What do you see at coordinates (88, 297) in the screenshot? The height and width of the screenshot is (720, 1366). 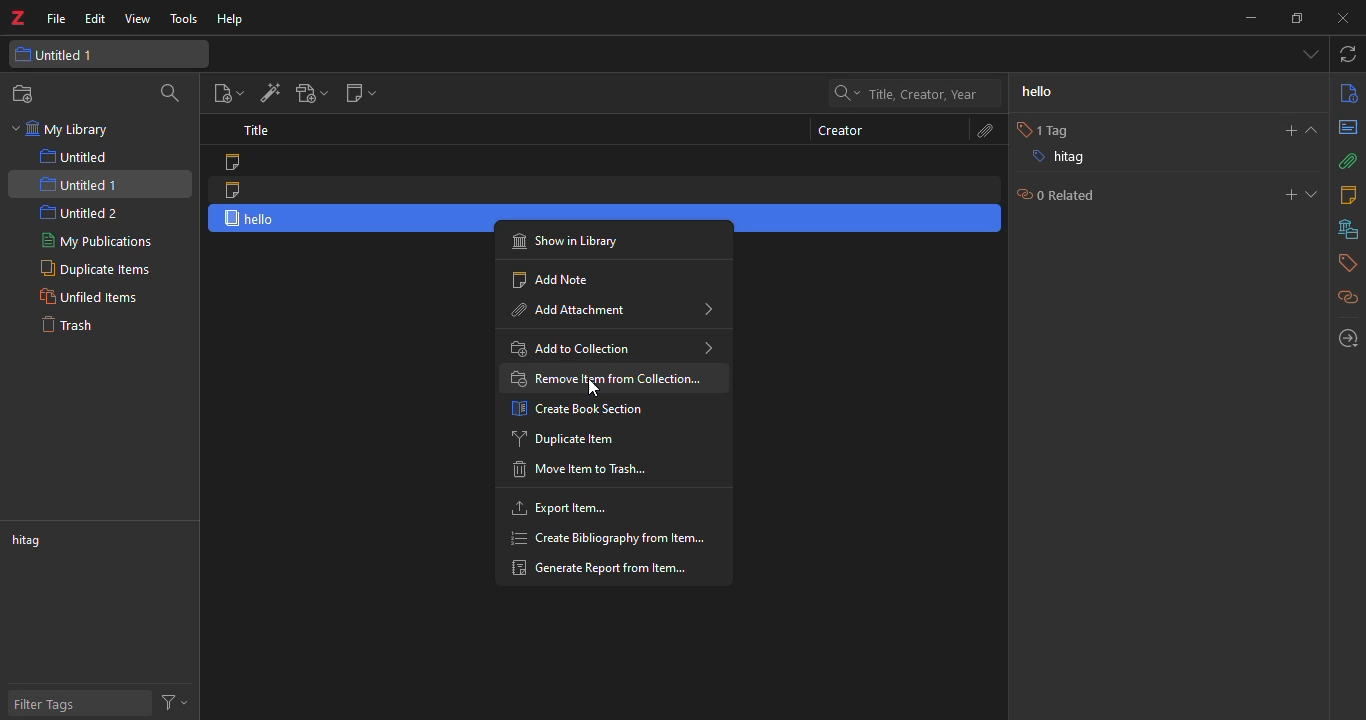 I see `unfiled items` at bounding box center [88, 297].